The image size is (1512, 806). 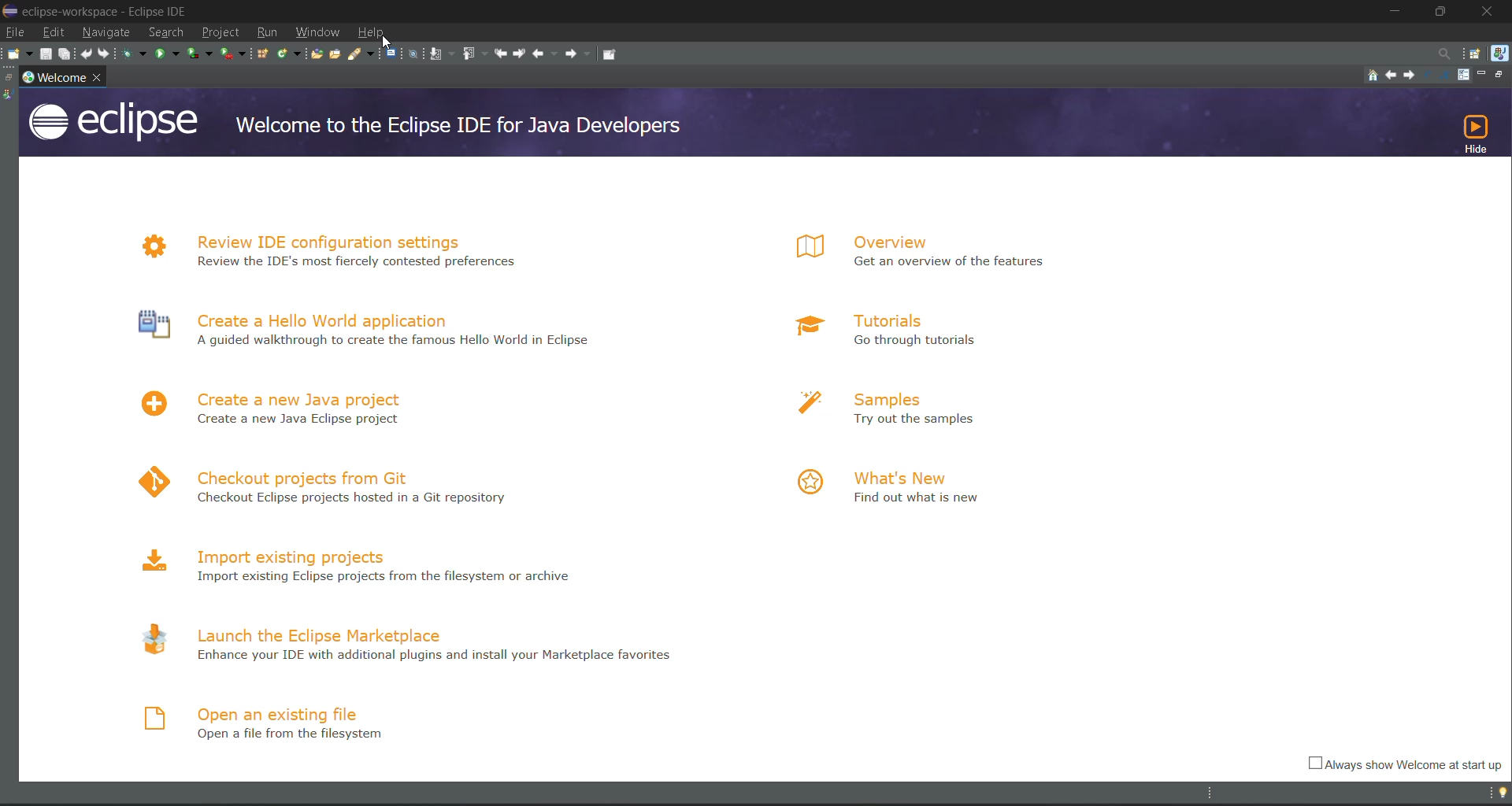 What do you see at coordinates (1502, 793) in the screenshot?
I see `tip of the day` at bounding box center [1502, 793].